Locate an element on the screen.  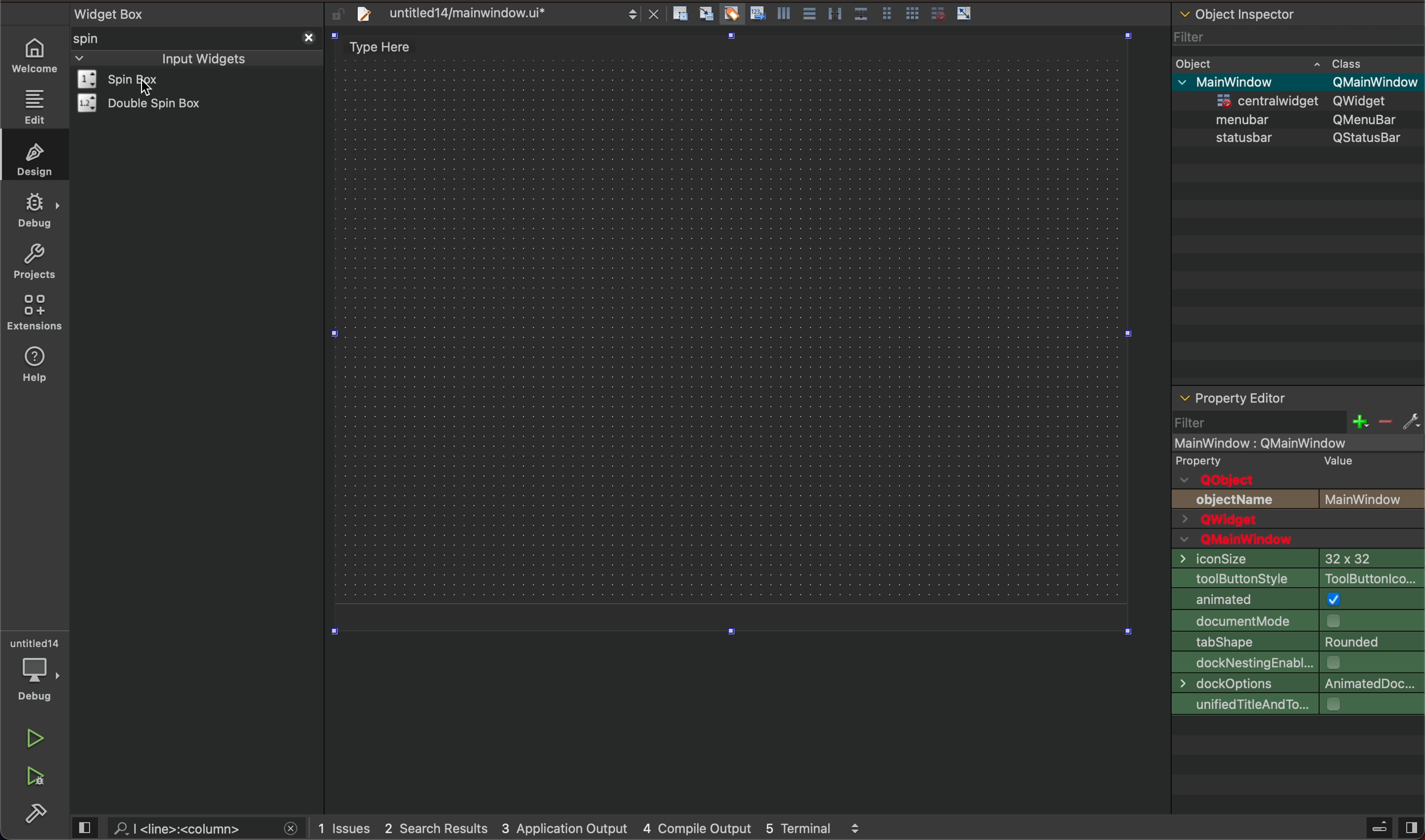
debug is located at coordinates (35, 211).